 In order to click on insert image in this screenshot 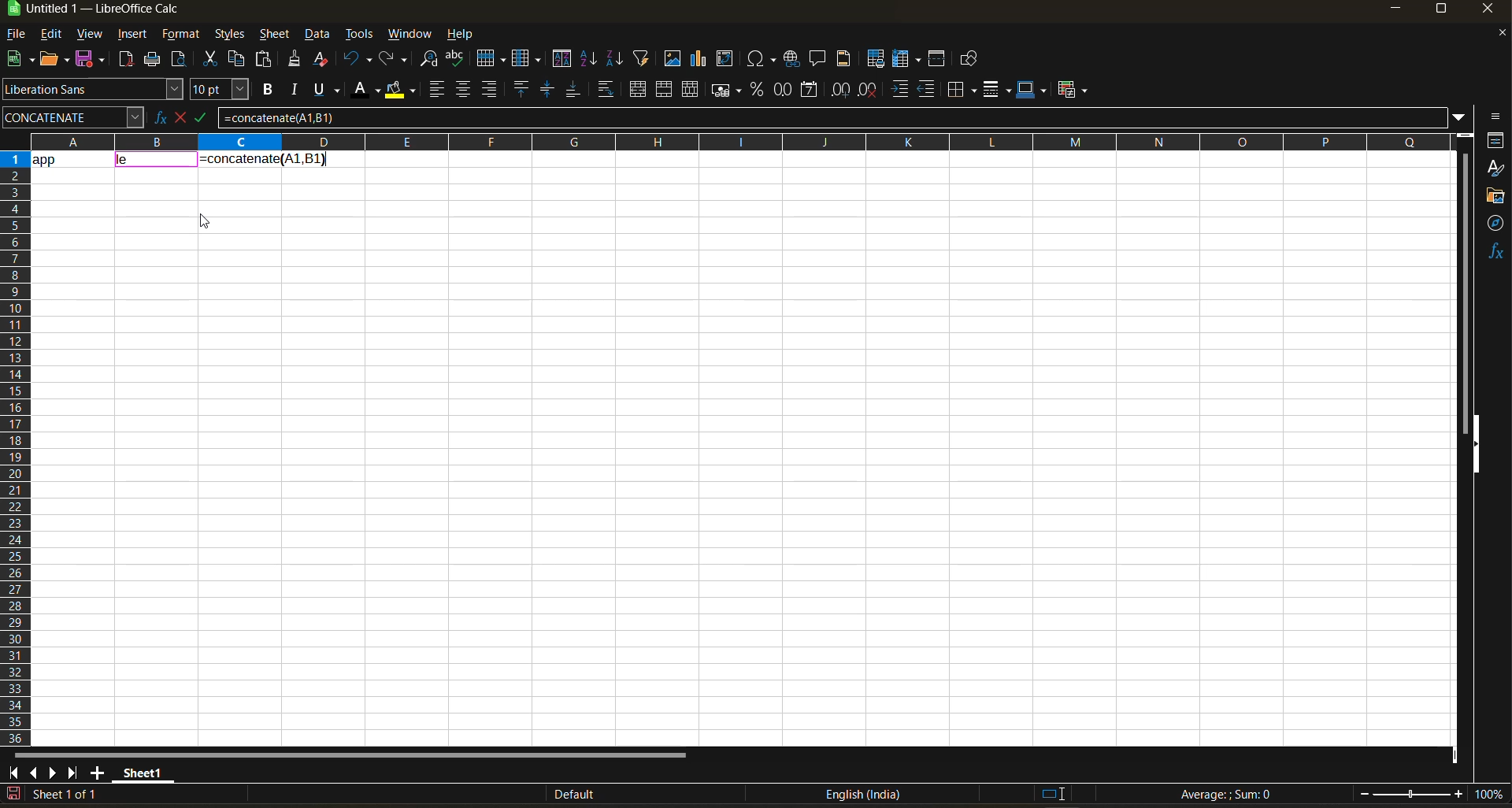, I will do `click(672, 58)`.